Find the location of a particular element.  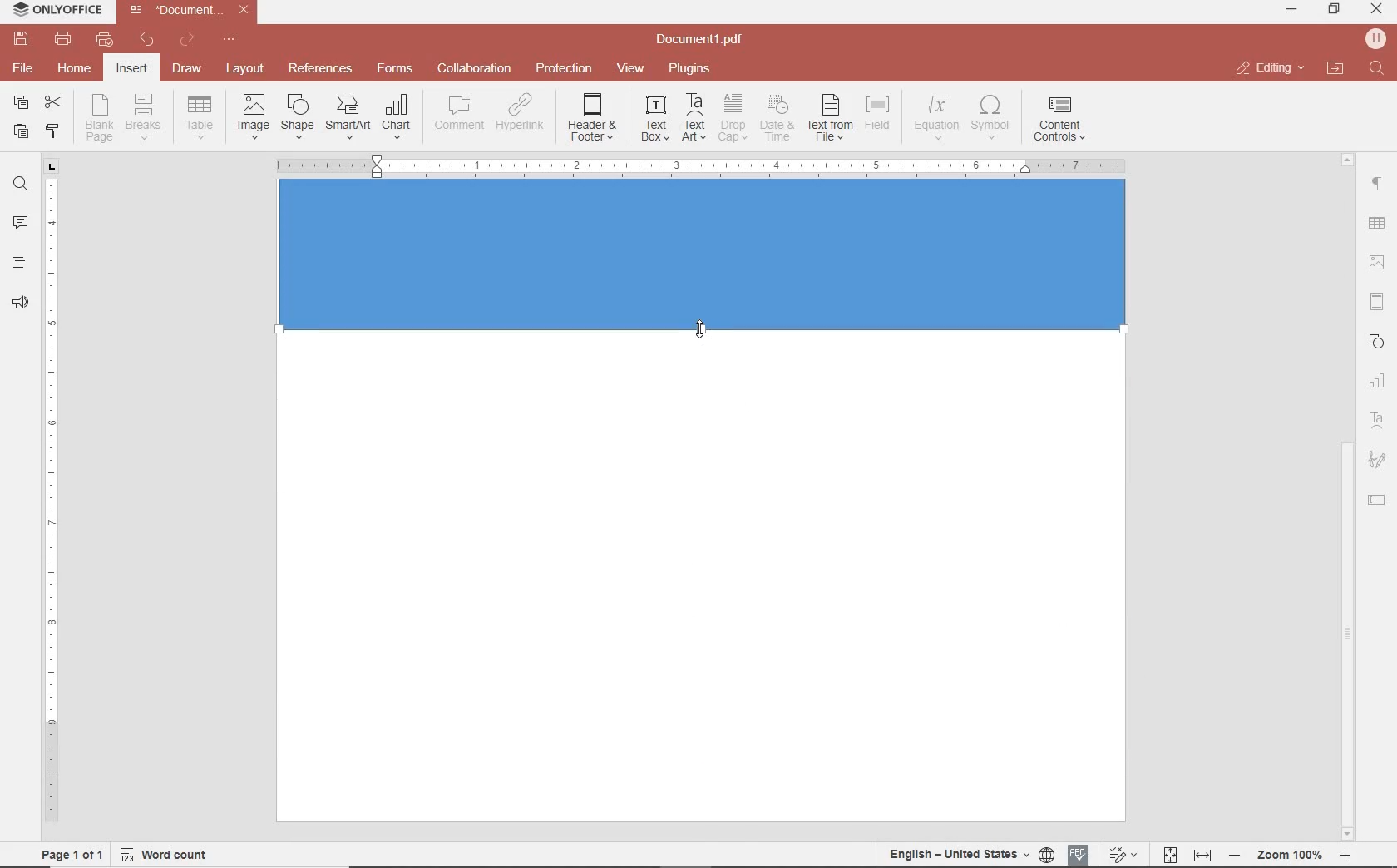

INSERT PAGE OR SECTION BREAK is located at coordinates (143, 118).